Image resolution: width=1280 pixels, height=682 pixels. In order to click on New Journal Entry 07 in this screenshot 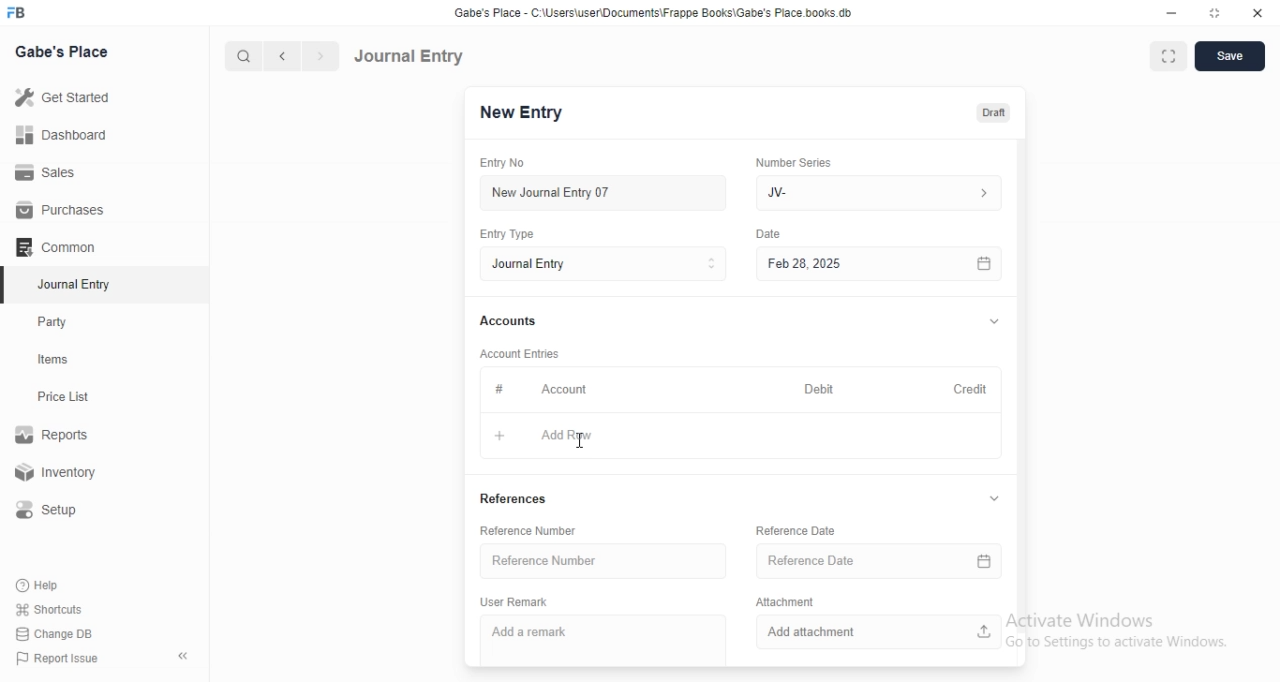, I will do `click(550, 193)`.